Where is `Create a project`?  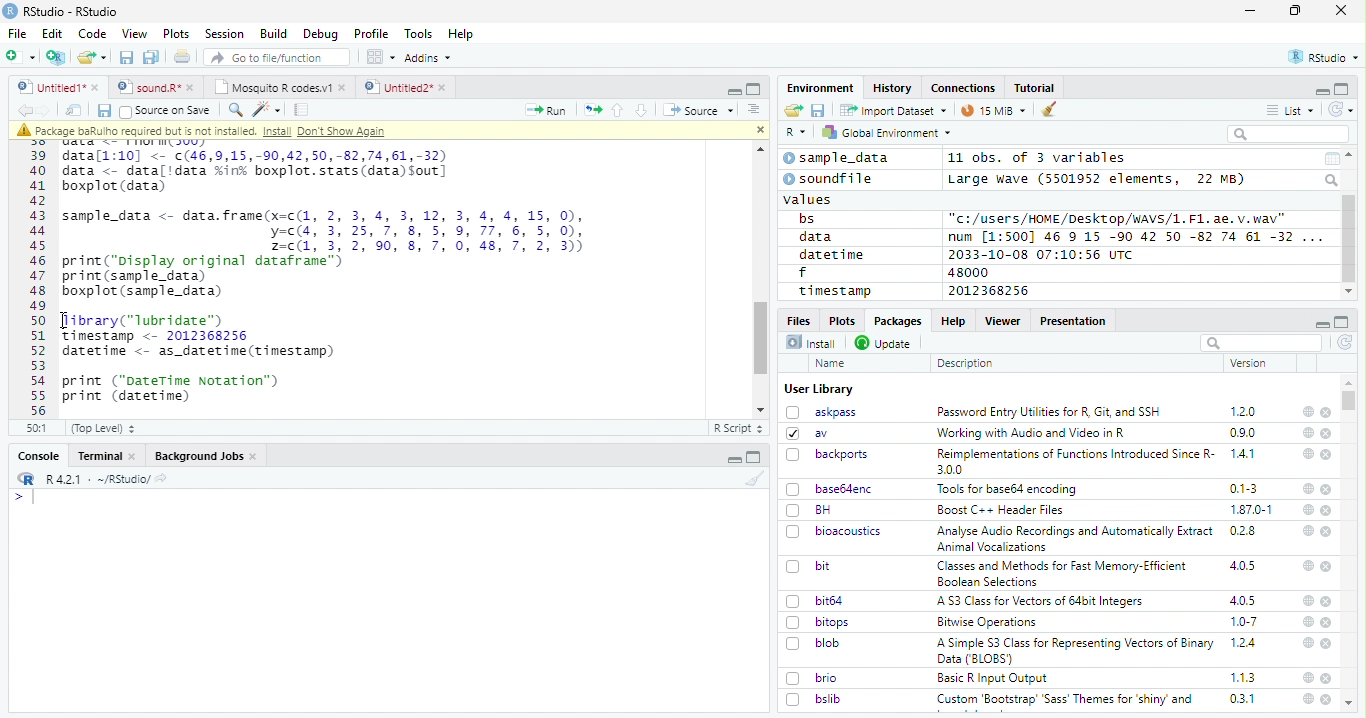 Create a project is located at coordinates (56, 57).